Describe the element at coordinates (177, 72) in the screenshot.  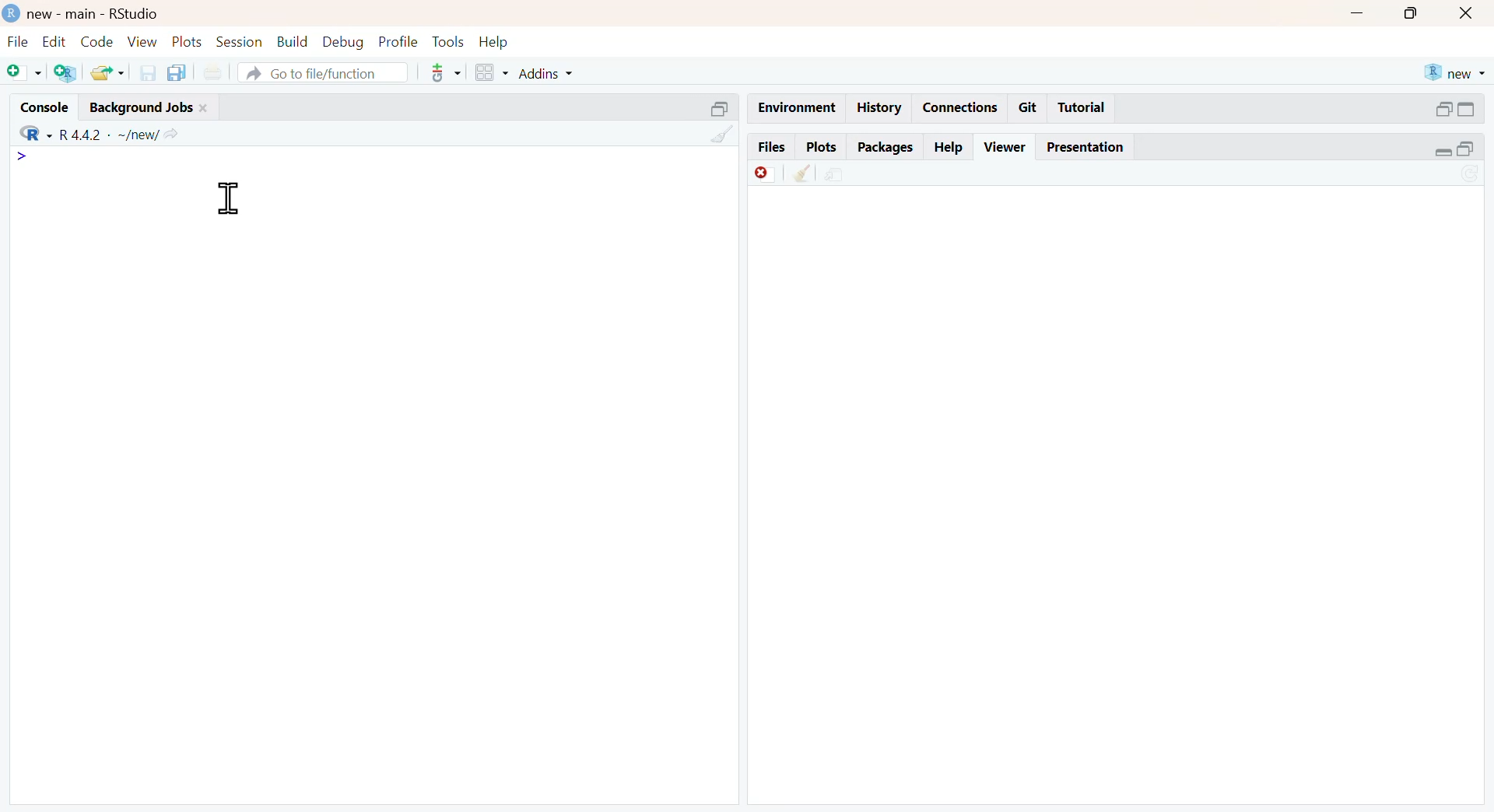
I see `copy` at that location.